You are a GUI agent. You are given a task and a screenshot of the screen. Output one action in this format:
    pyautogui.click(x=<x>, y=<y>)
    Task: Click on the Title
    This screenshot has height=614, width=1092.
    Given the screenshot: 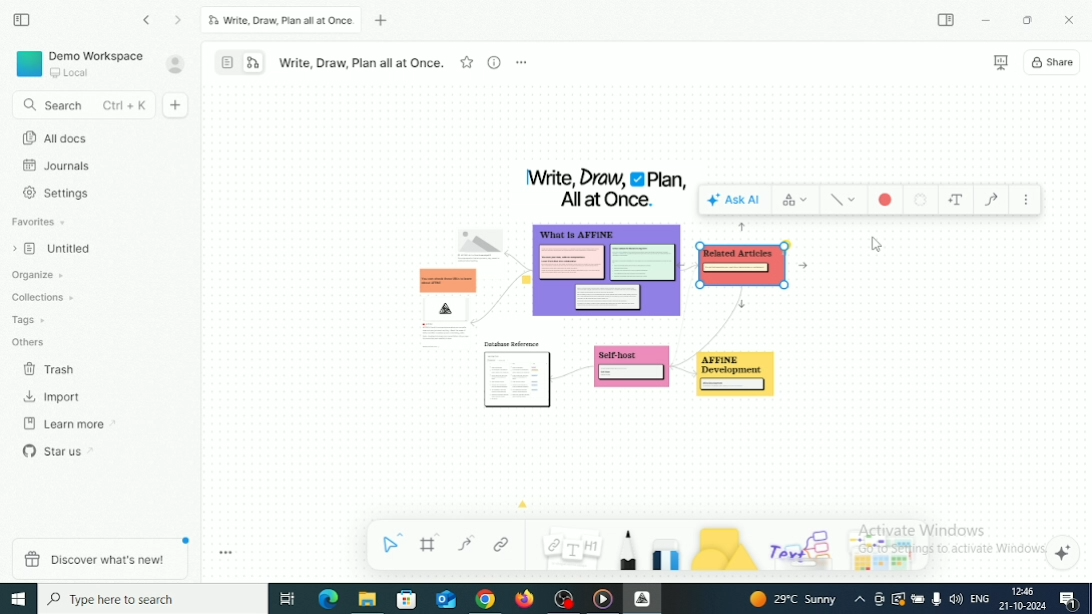 What is the action you would take?
    pyautogui.click(x=606, y=188)
    